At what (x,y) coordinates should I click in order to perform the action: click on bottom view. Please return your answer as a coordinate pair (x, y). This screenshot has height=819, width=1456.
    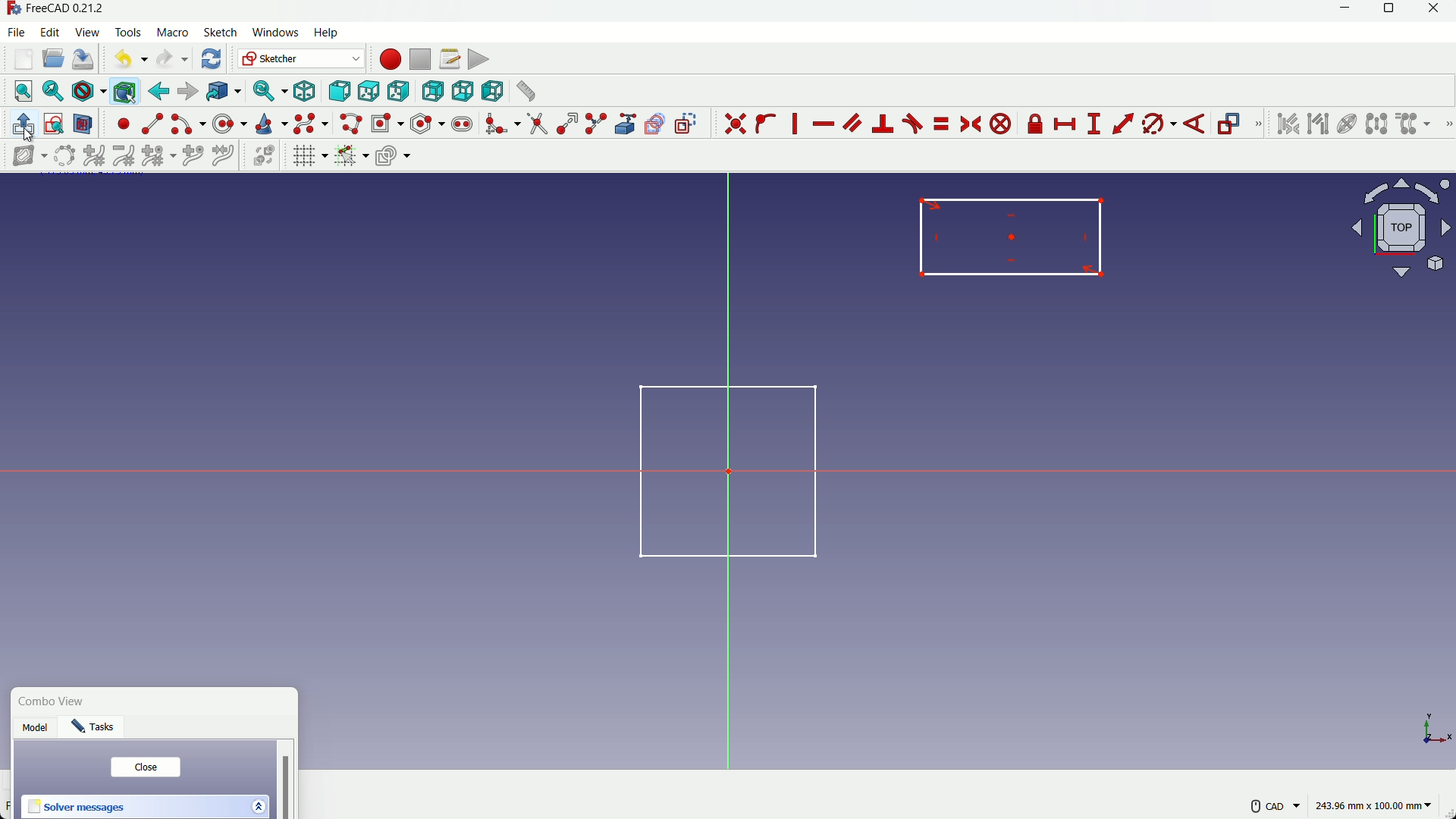
    Looking at the image, I should click on (462, 91).